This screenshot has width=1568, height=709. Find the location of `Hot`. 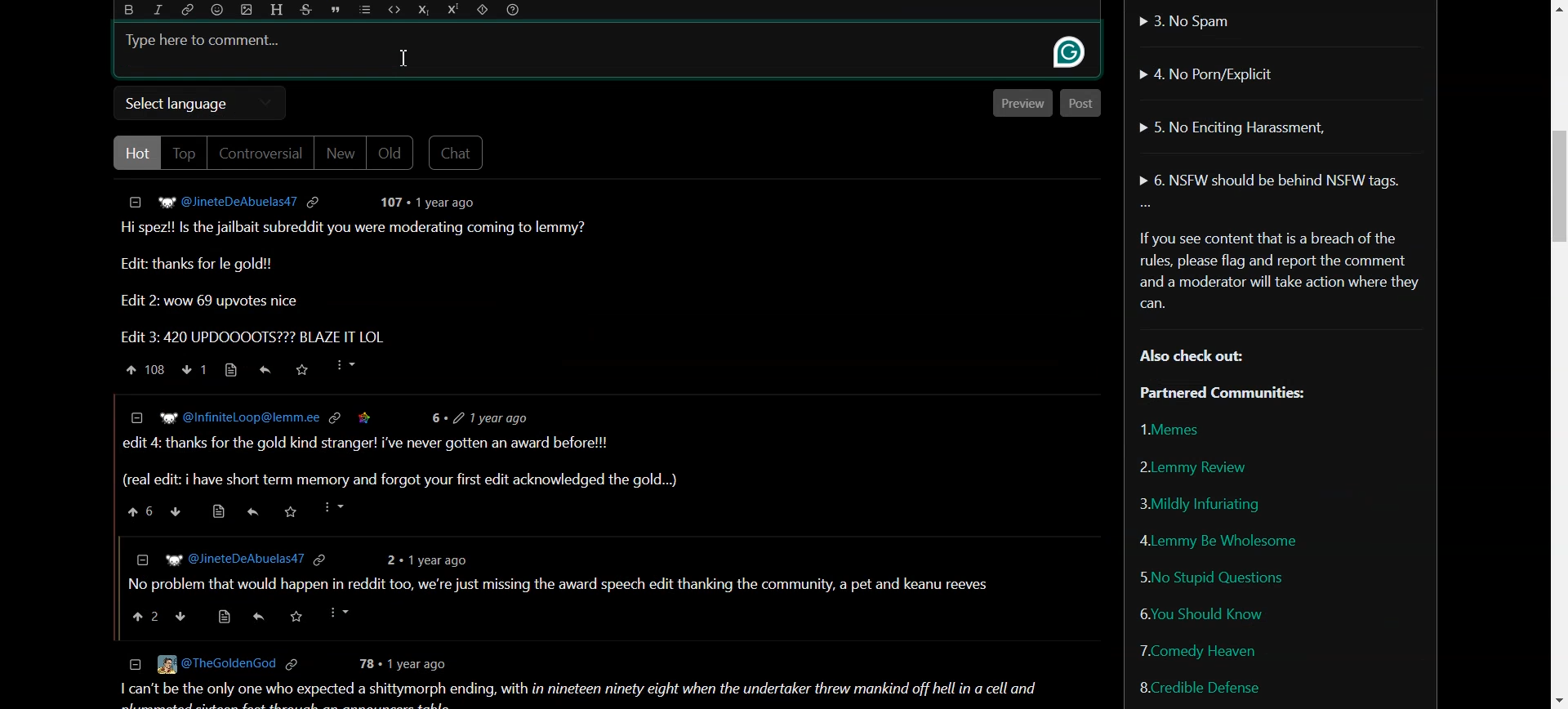

Hot is located at coordinates (135, 153).